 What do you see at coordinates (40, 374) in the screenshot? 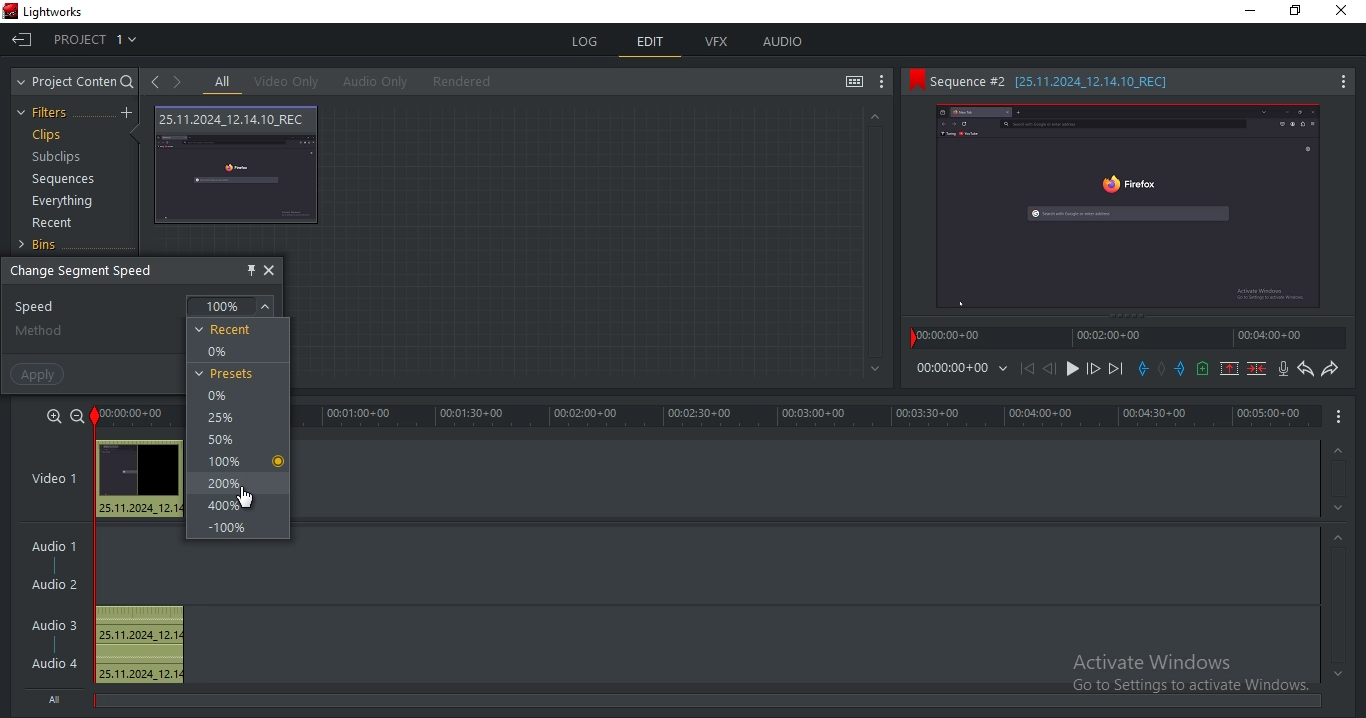
I see `apply` at bounding box center [40, 374].